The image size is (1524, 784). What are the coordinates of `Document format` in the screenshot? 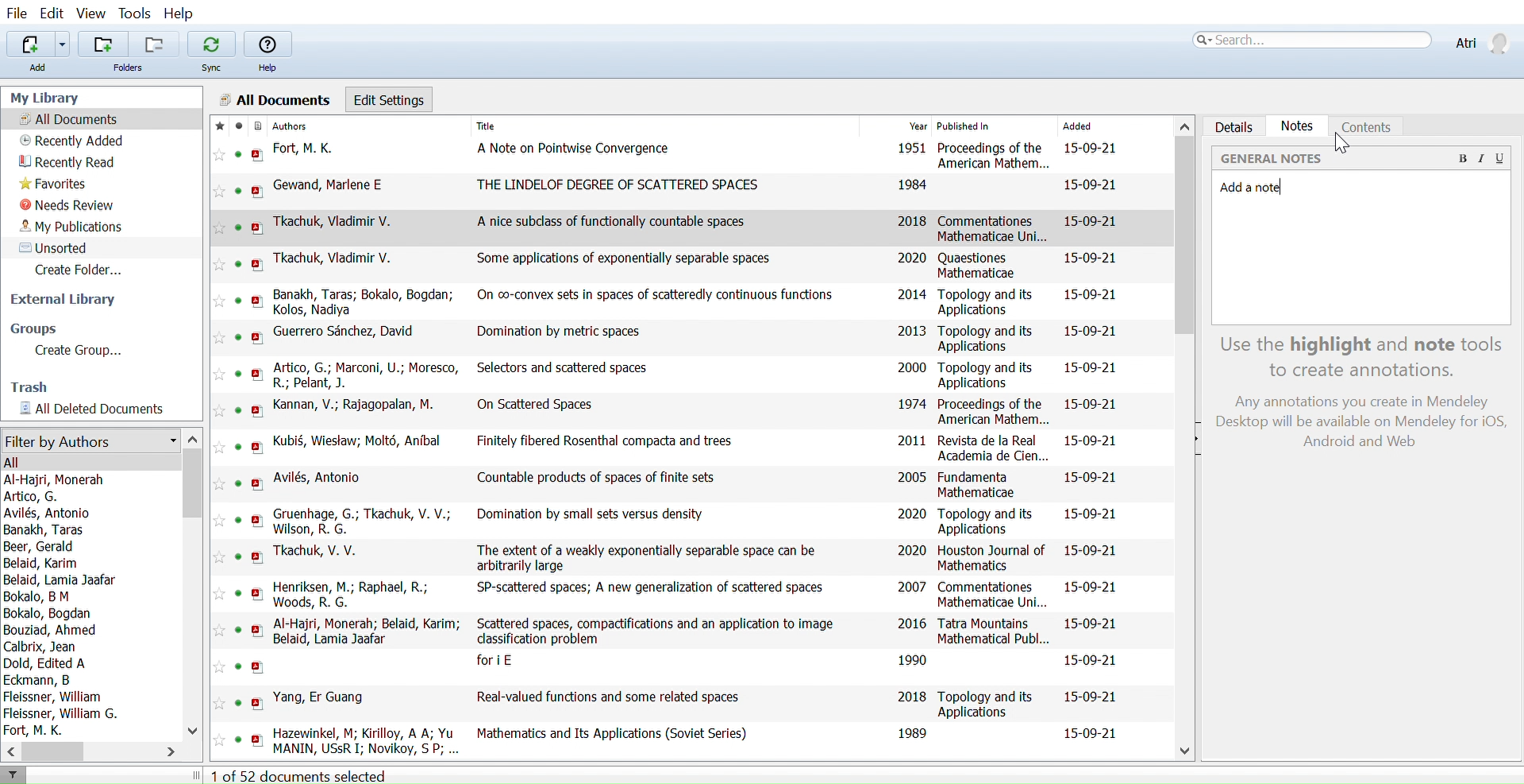 It's located at (256, 126).